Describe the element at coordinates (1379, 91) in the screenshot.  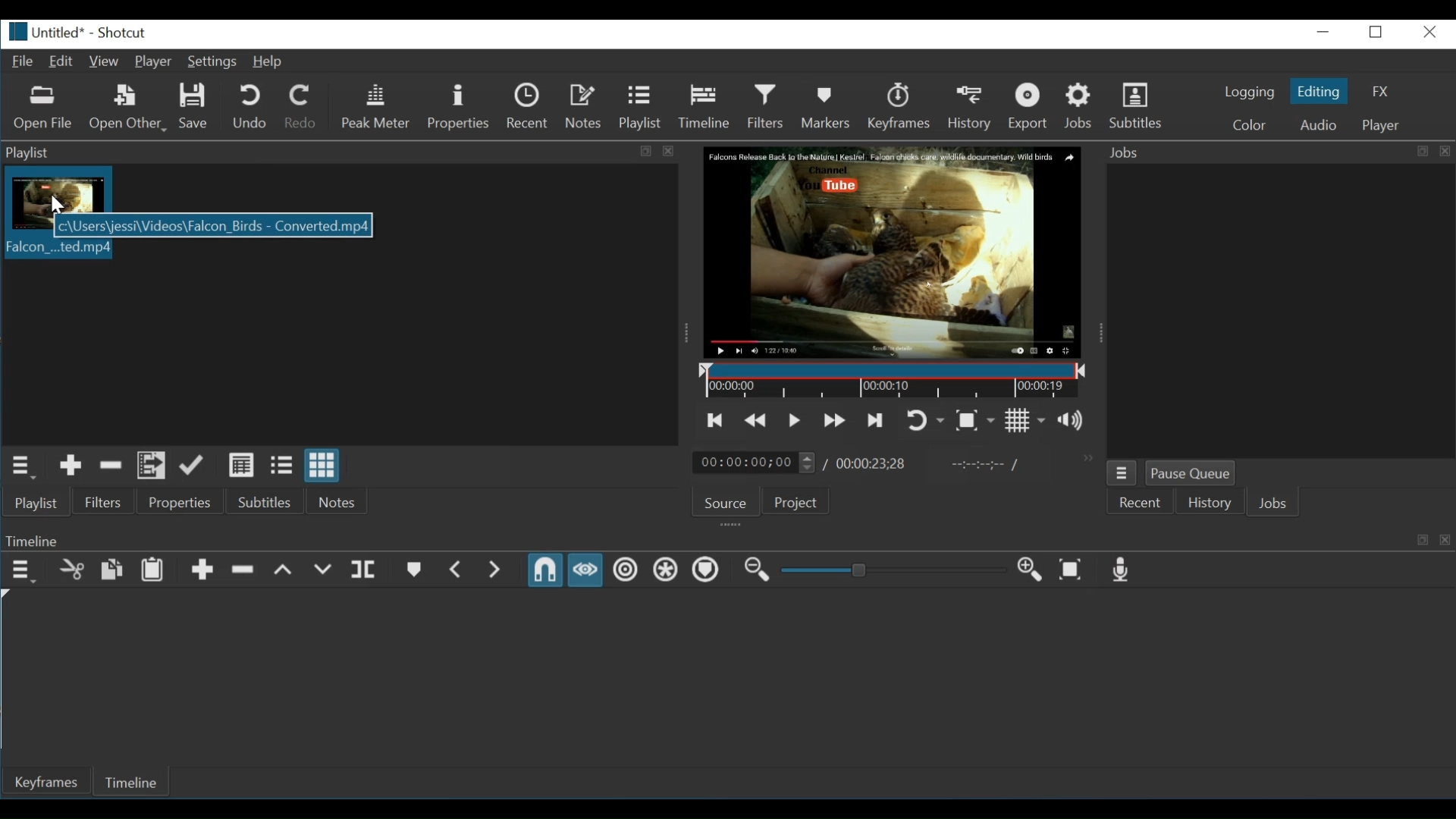
I see `FX` at that location.